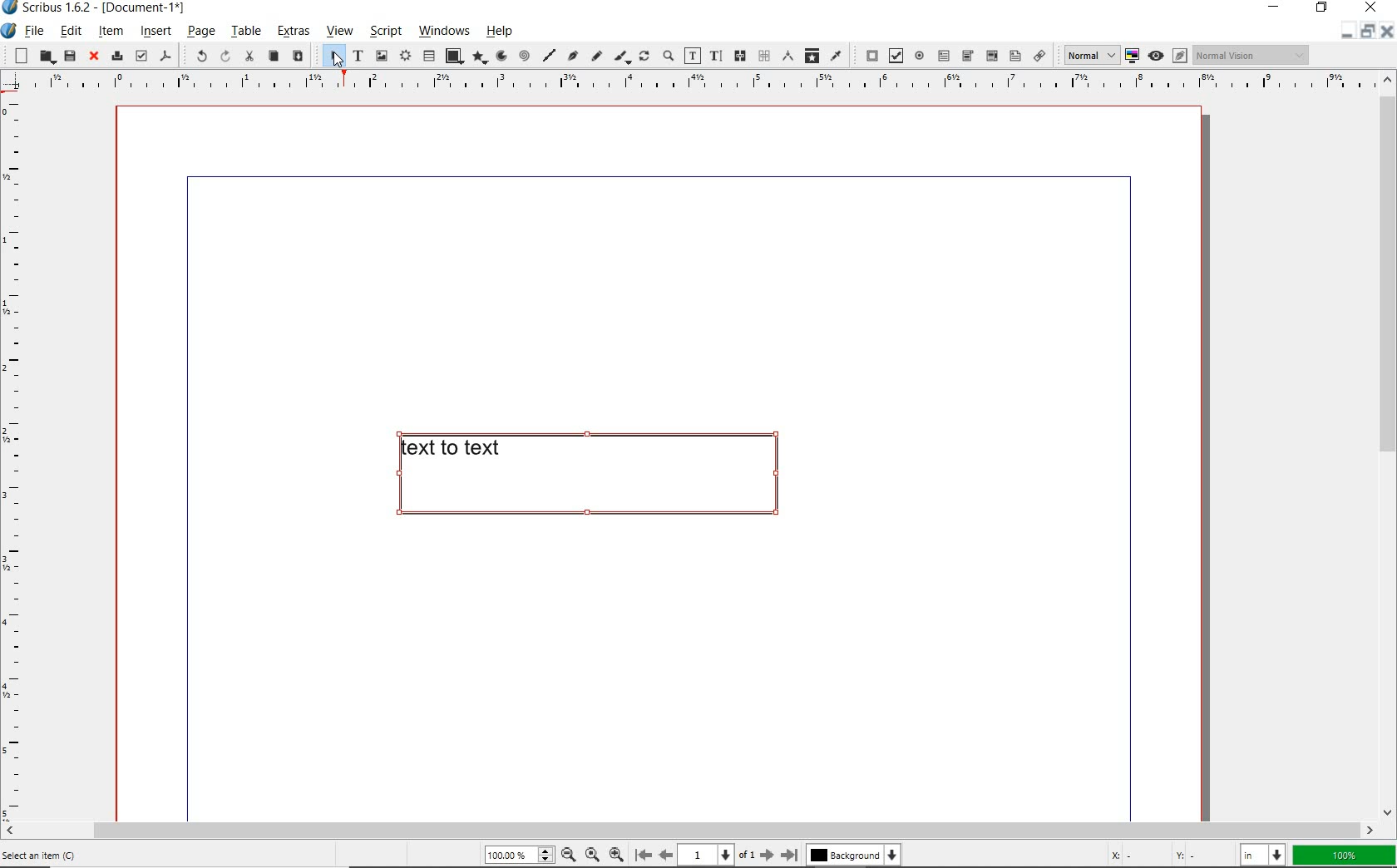 This screenshot has width=1397, height=868. Describe the element at coordinates (445, 32) in the screenshot. I see `windows` at that location.